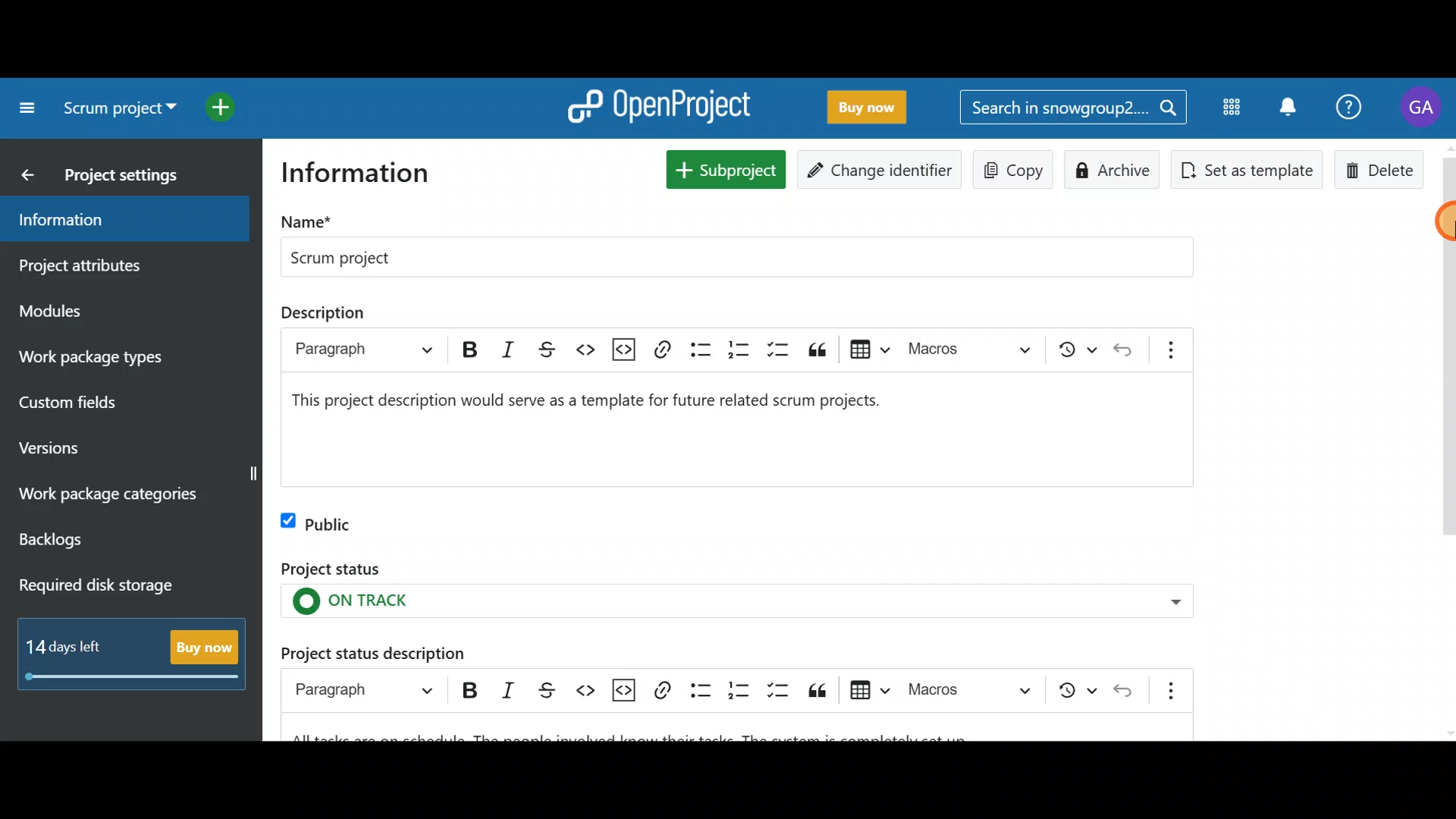 This screenshot has height=819, width=1456. Describe the element at coordinates (24, 108) in the screenshot. I see `Collapse project menu` at that location.